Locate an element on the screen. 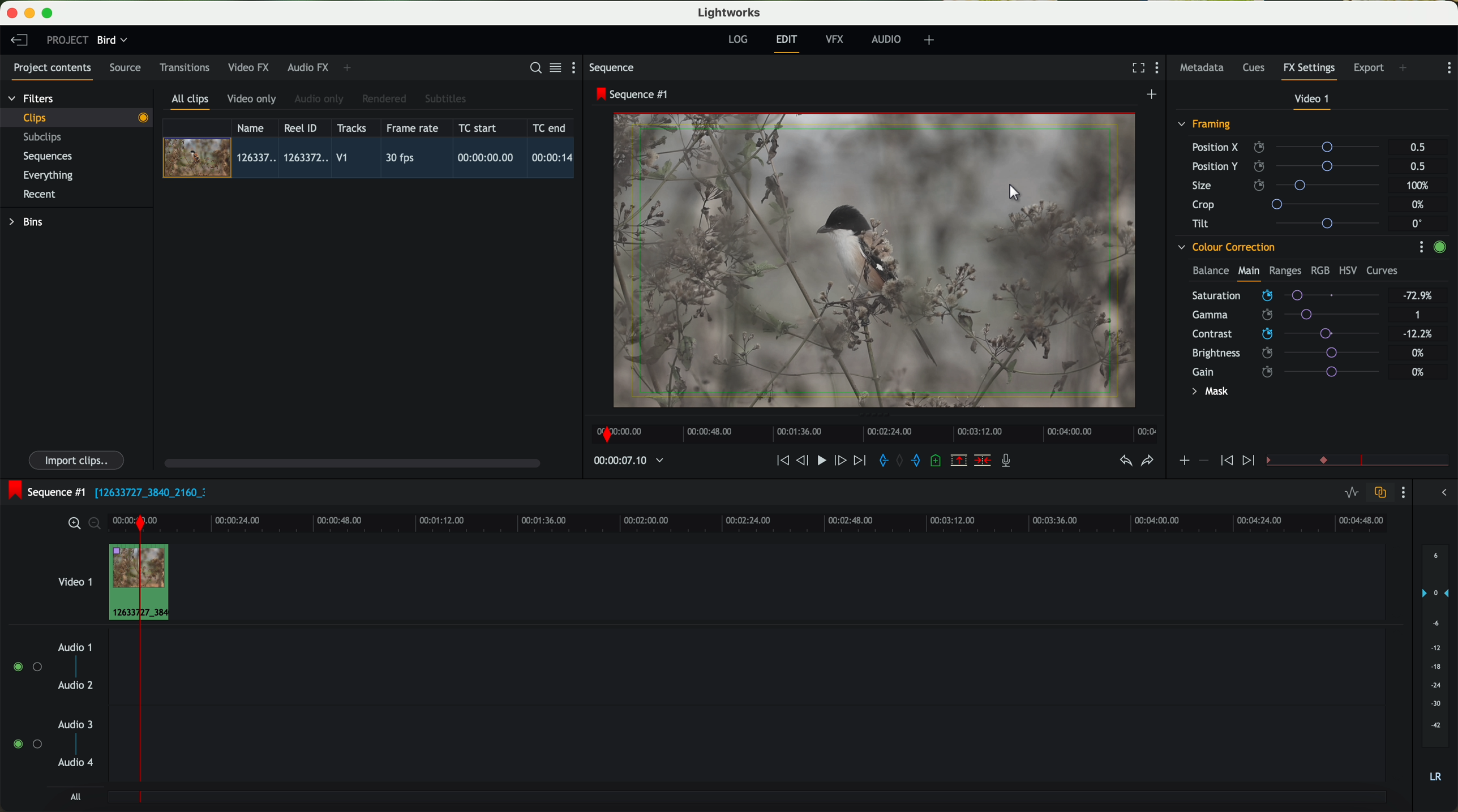 The height and width of the screenshot is (812, 1458). RGB is located at coordinates (1319, 269).